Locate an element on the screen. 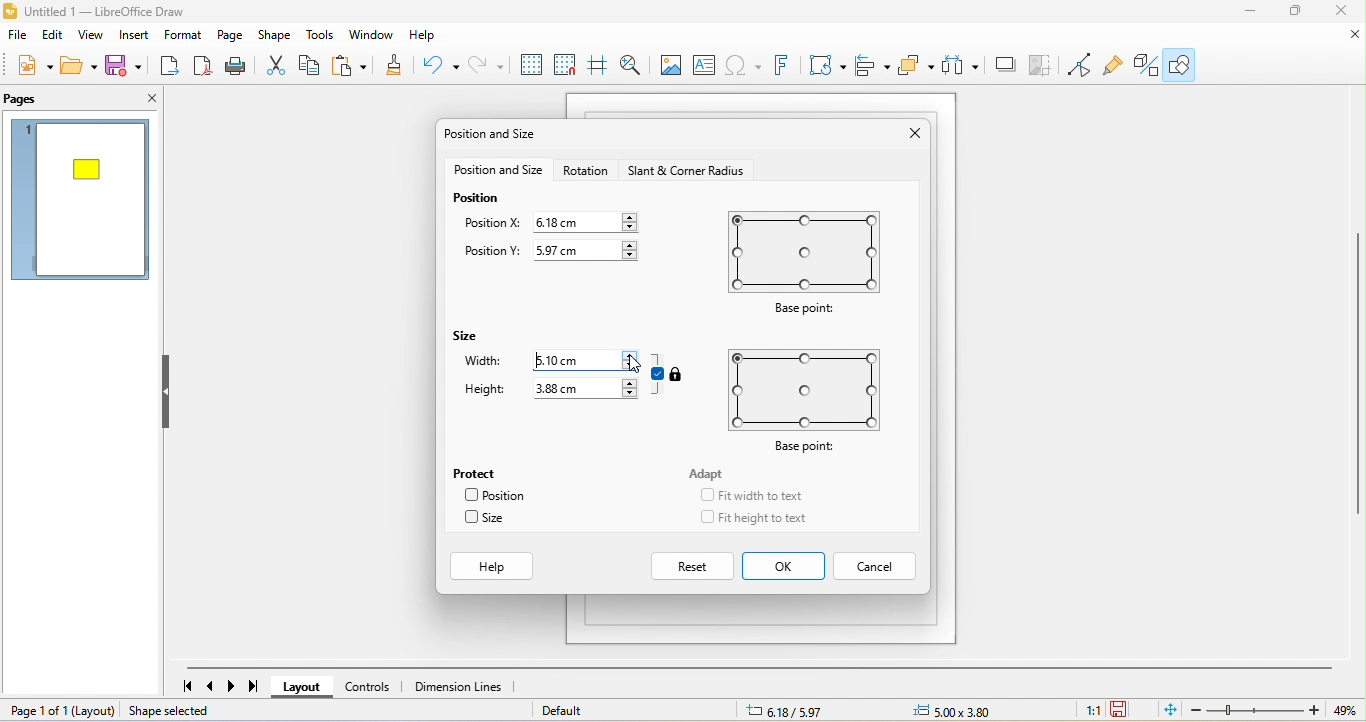 The image size is (1366, 722). shadow is located at coordinates (1006, 64).